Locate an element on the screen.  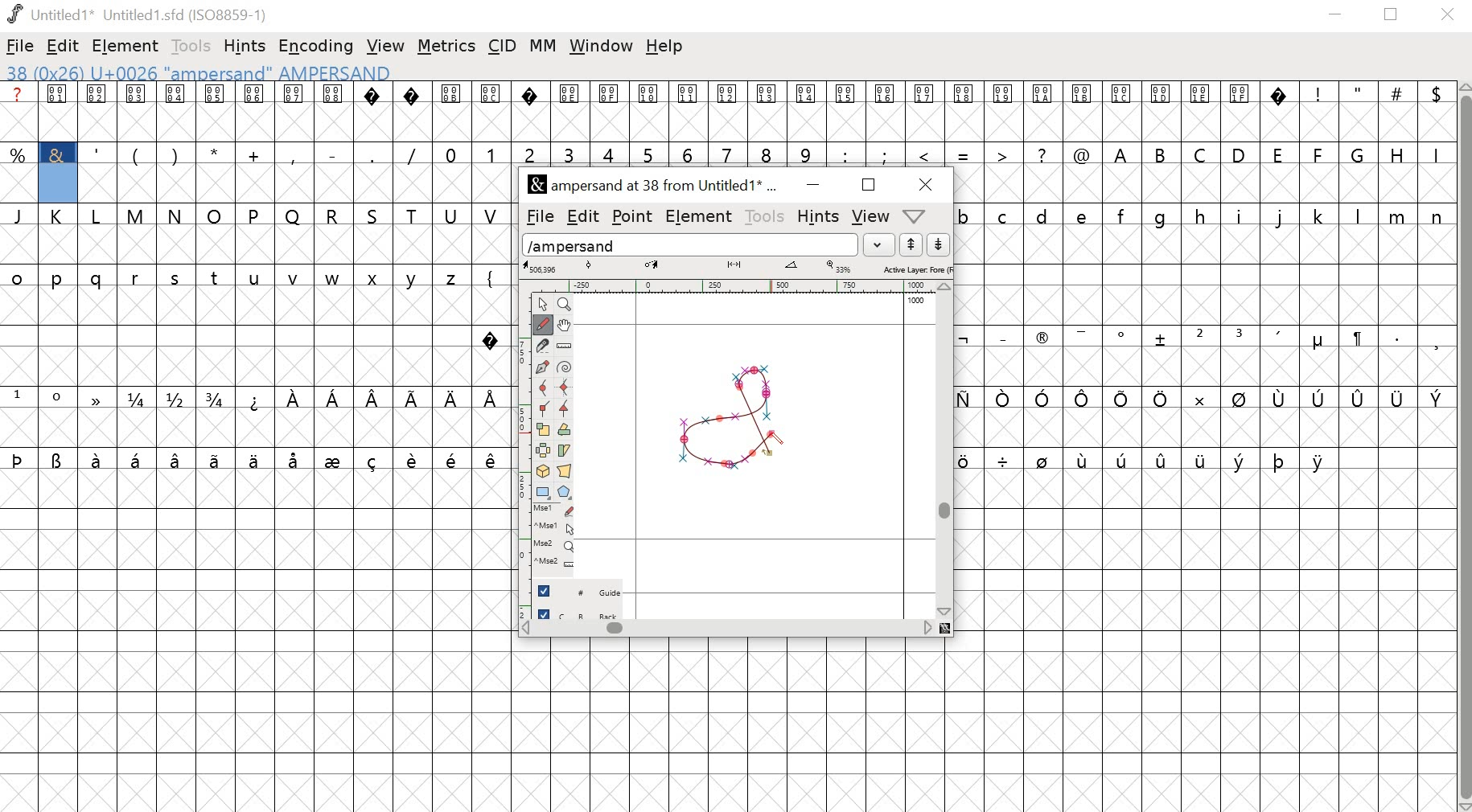
selection toggle Guide is located at coordinates (584, 590).